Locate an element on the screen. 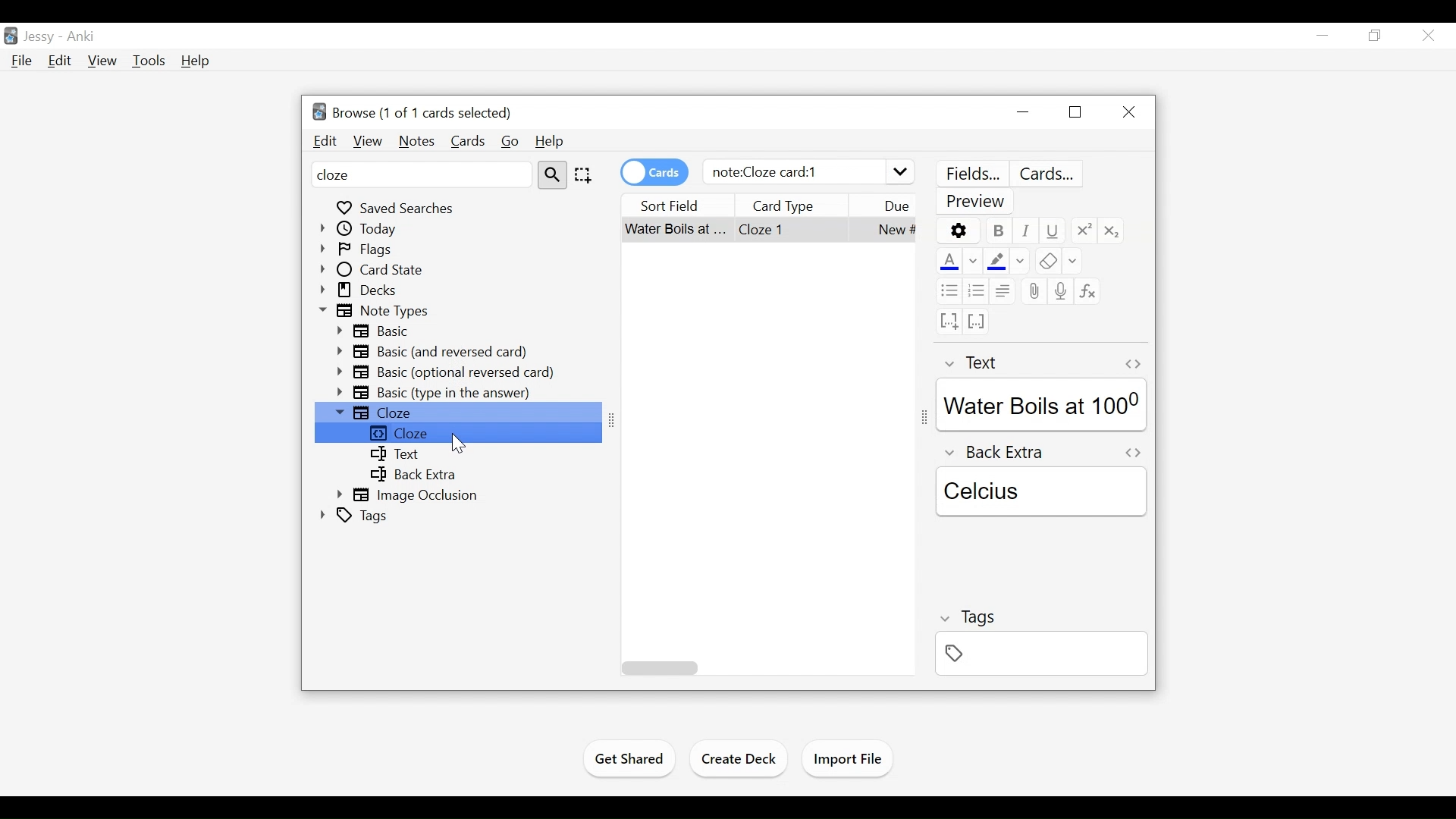  Ordered List is located at coordinates (977, 291).